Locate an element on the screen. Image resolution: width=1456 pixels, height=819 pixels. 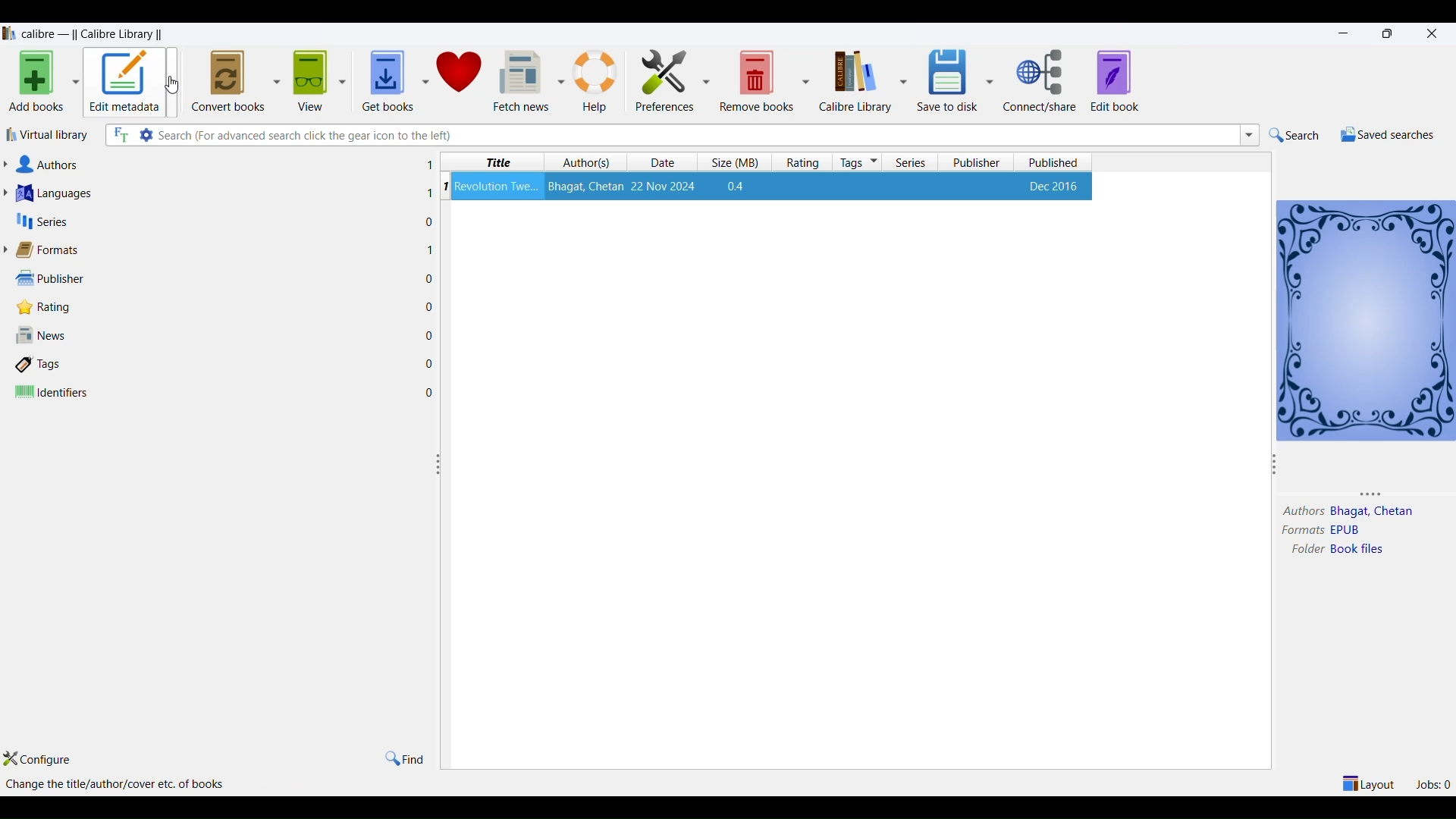
series is located at coordinates (44, 221).